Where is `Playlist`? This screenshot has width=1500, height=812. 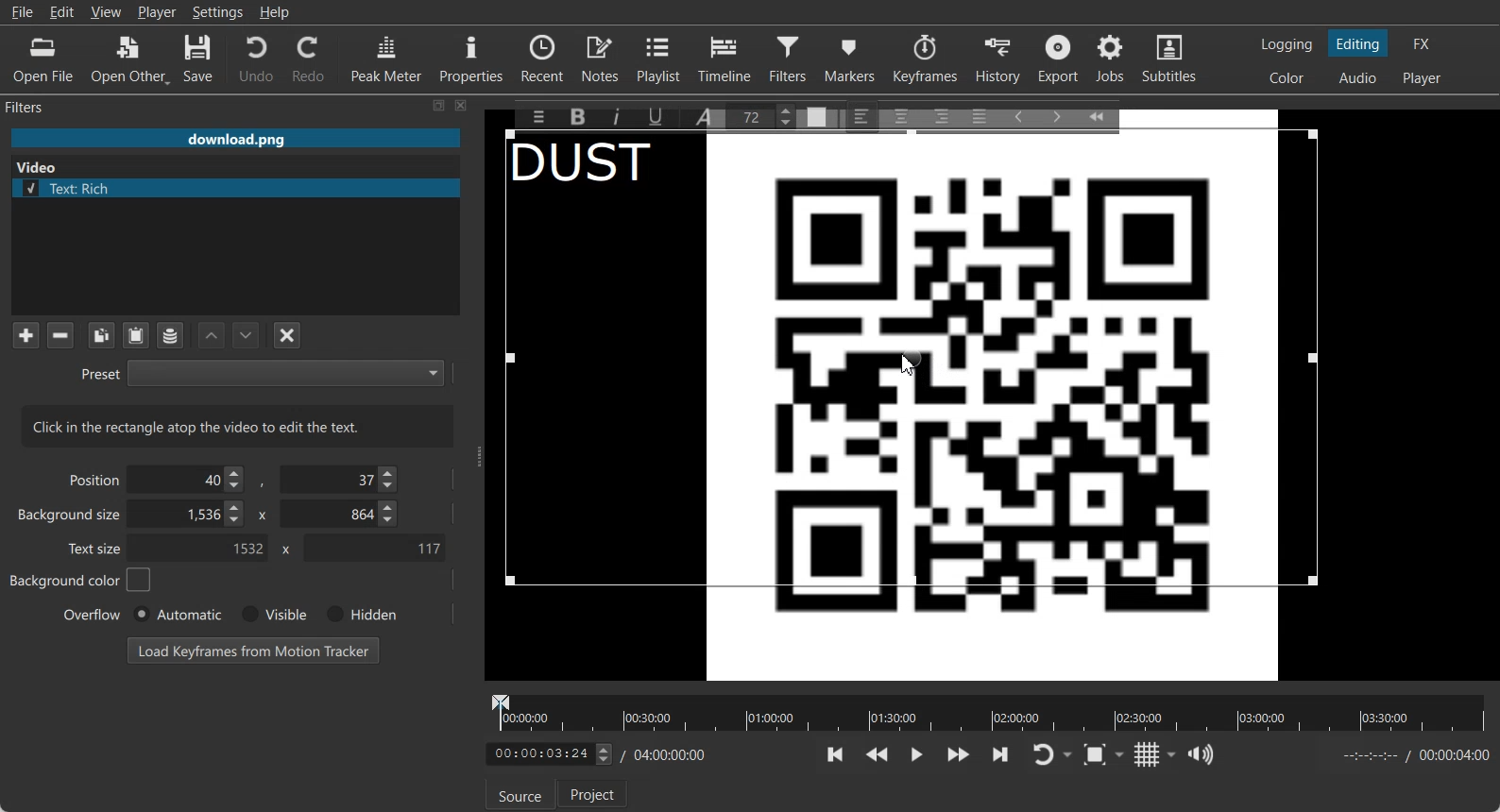 Playlist is located at coordinates (661, 58).